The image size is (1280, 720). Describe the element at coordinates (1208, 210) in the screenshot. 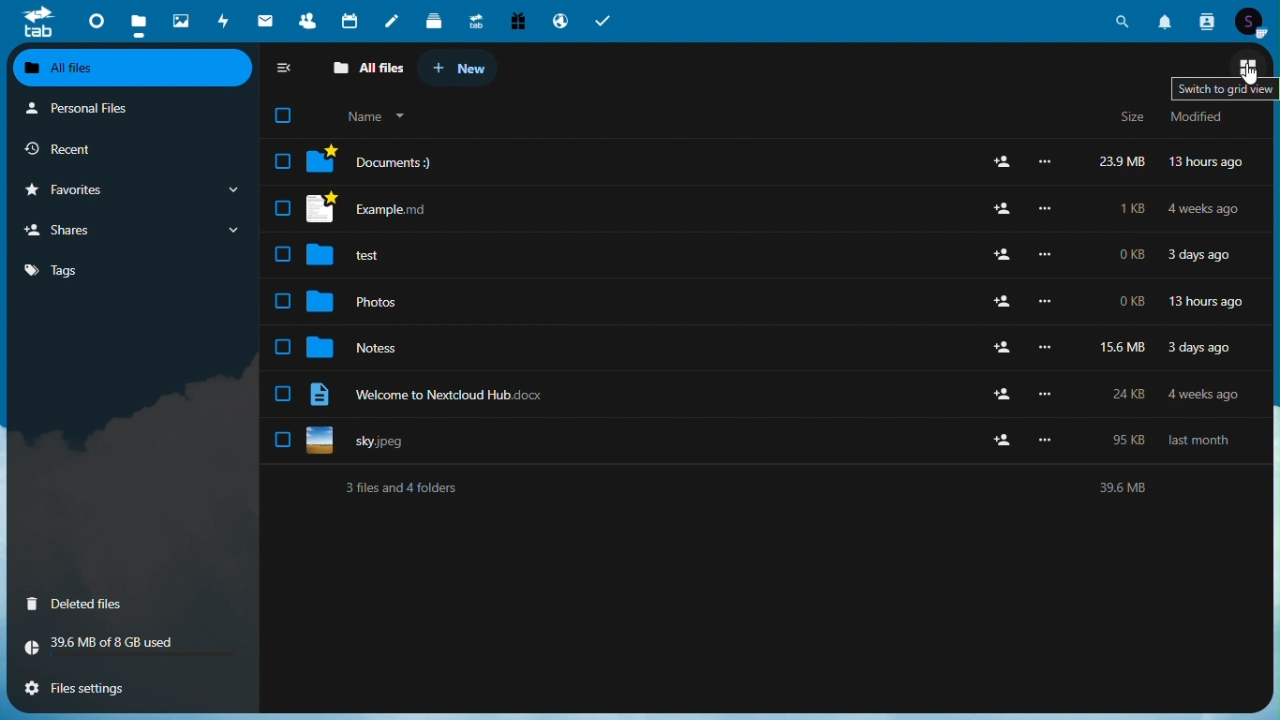

I see `4 weeks ago` at that location.